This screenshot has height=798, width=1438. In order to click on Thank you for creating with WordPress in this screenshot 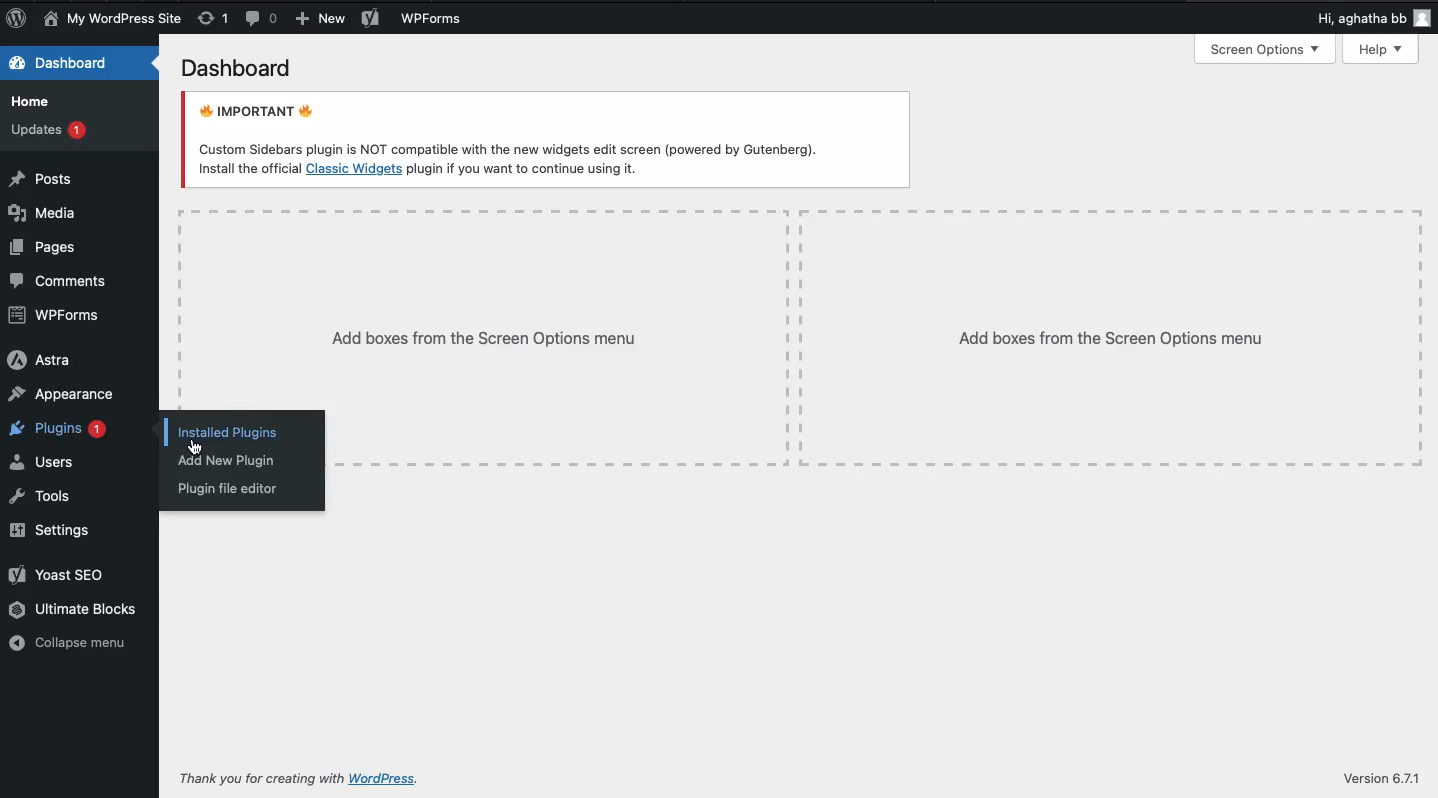, I will do `click(262, 776)`.